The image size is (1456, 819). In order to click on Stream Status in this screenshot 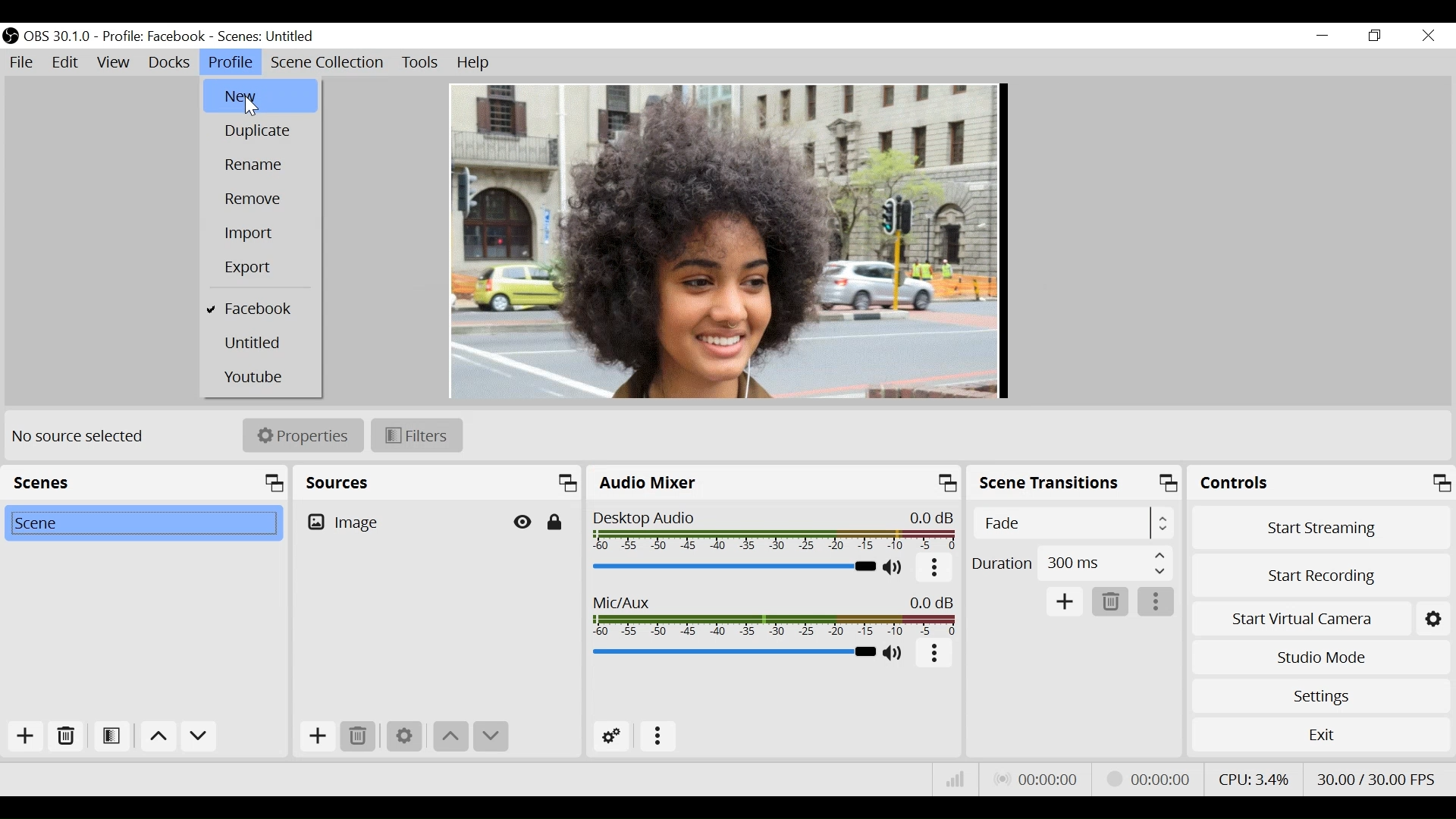, I will do `click(1150, 778)`.